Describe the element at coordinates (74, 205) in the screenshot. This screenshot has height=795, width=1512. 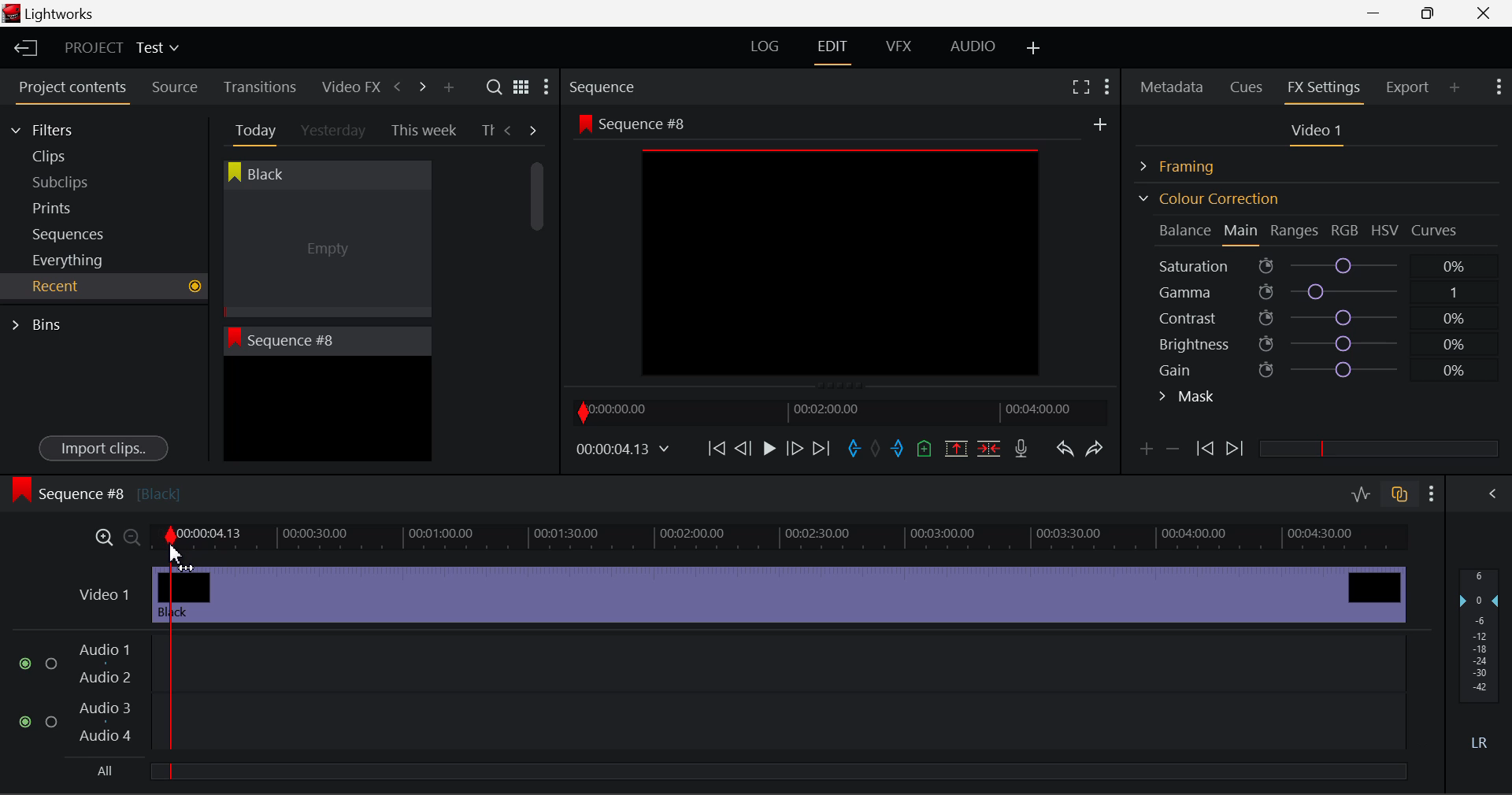
I see `Prints` at that location.